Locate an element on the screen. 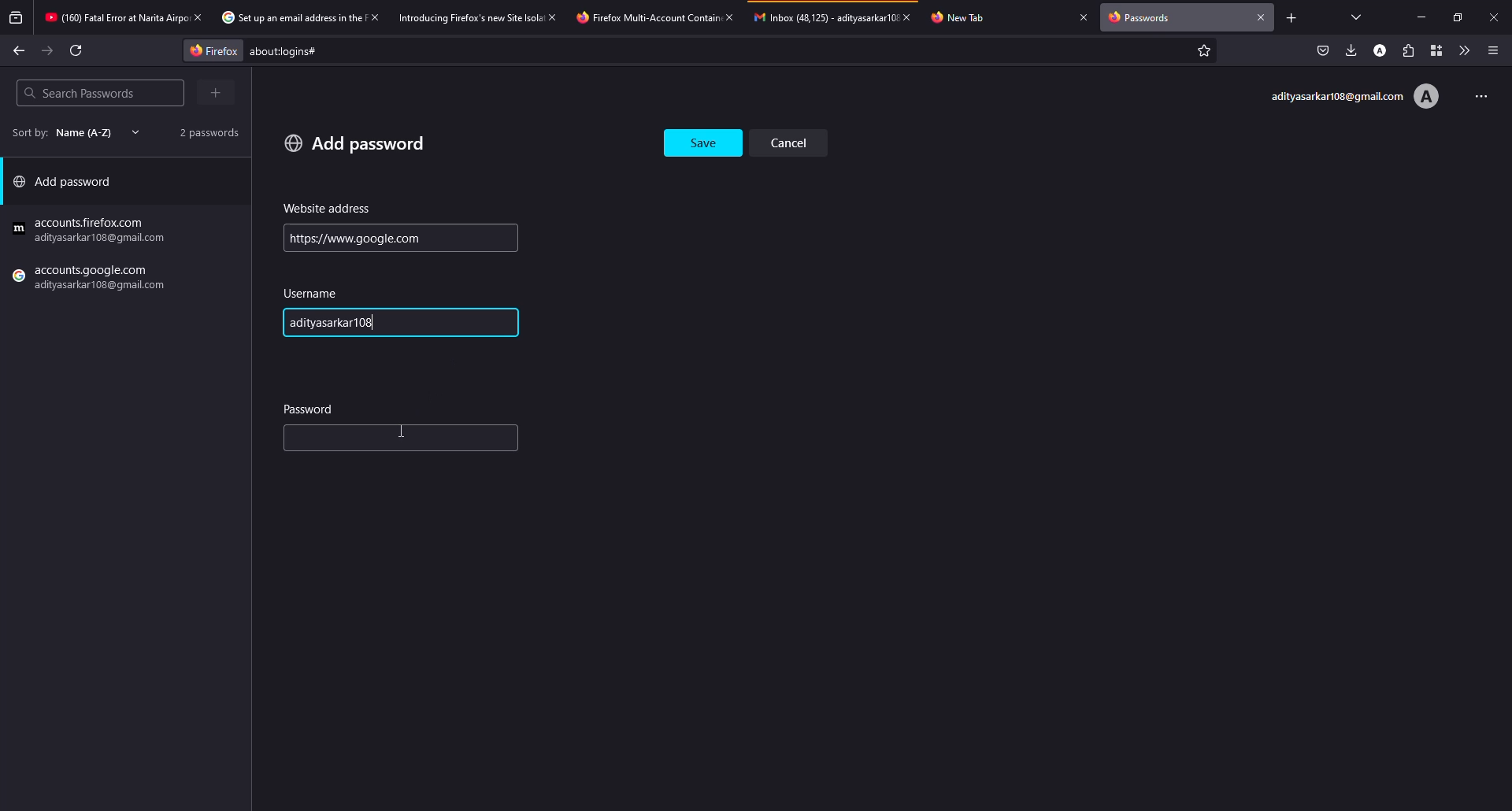  refresh is located at coordinates (77, 50).